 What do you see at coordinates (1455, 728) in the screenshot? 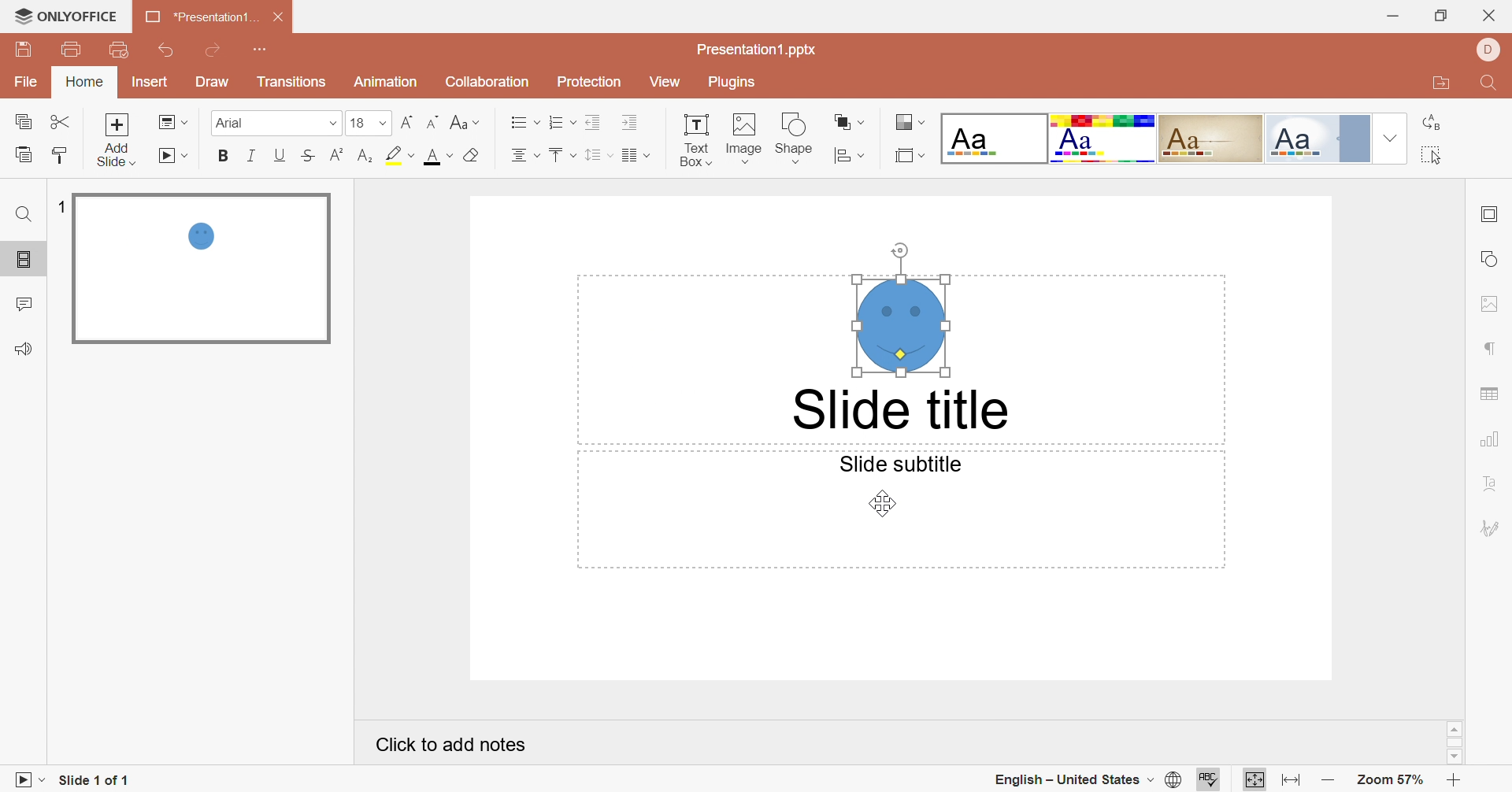
I see `Scroll Up` at bounding box center [1455, 728].